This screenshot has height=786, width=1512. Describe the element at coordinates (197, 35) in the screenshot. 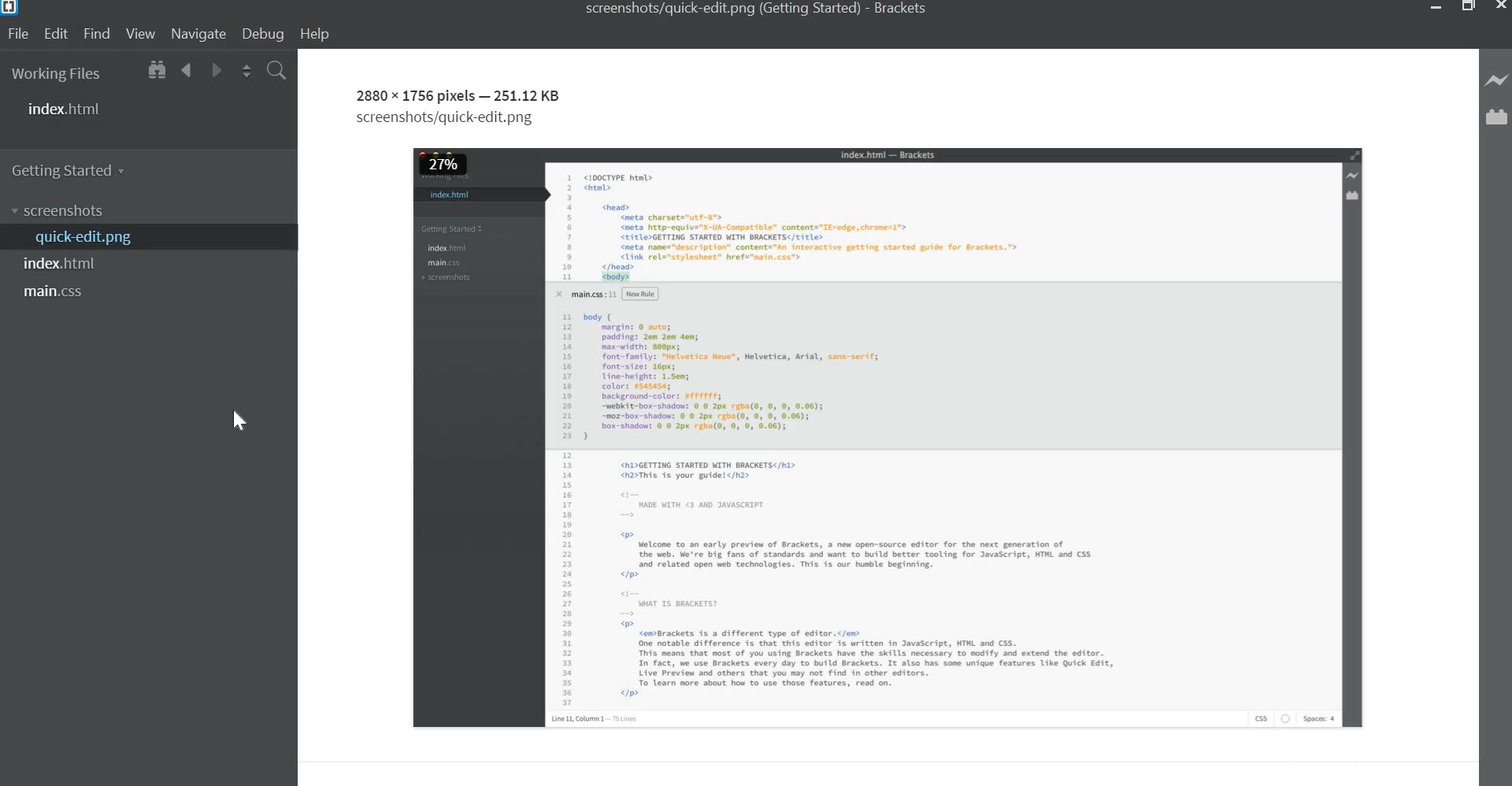

I see `Navigate` at that location.